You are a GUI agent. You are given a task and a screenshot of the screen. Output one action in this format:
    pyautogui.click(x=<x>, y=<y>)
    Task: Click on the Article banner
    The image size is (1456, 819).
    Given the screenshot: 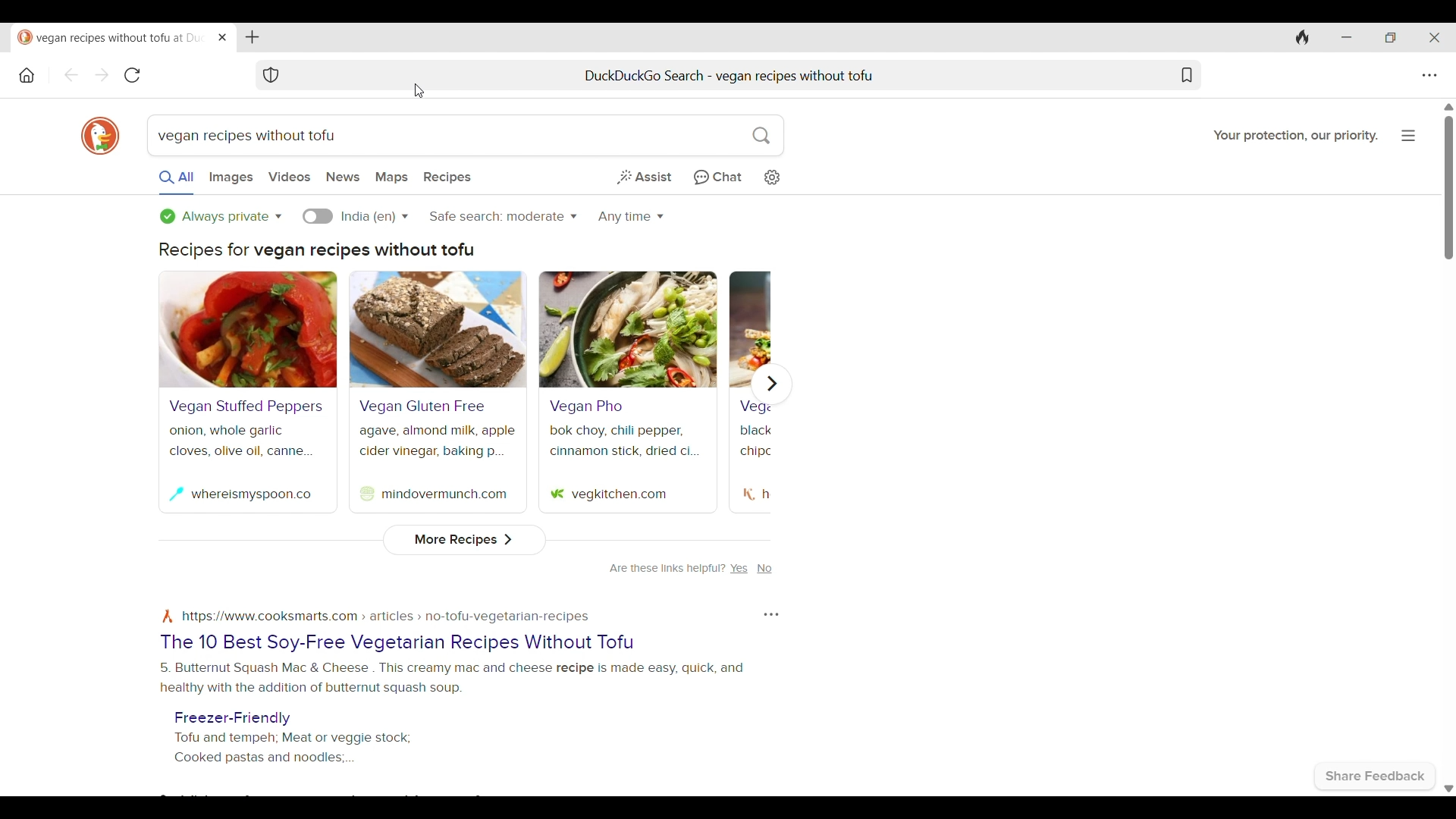 What is the action you would take?
    pyautogui.click(x=629, y=330)
    